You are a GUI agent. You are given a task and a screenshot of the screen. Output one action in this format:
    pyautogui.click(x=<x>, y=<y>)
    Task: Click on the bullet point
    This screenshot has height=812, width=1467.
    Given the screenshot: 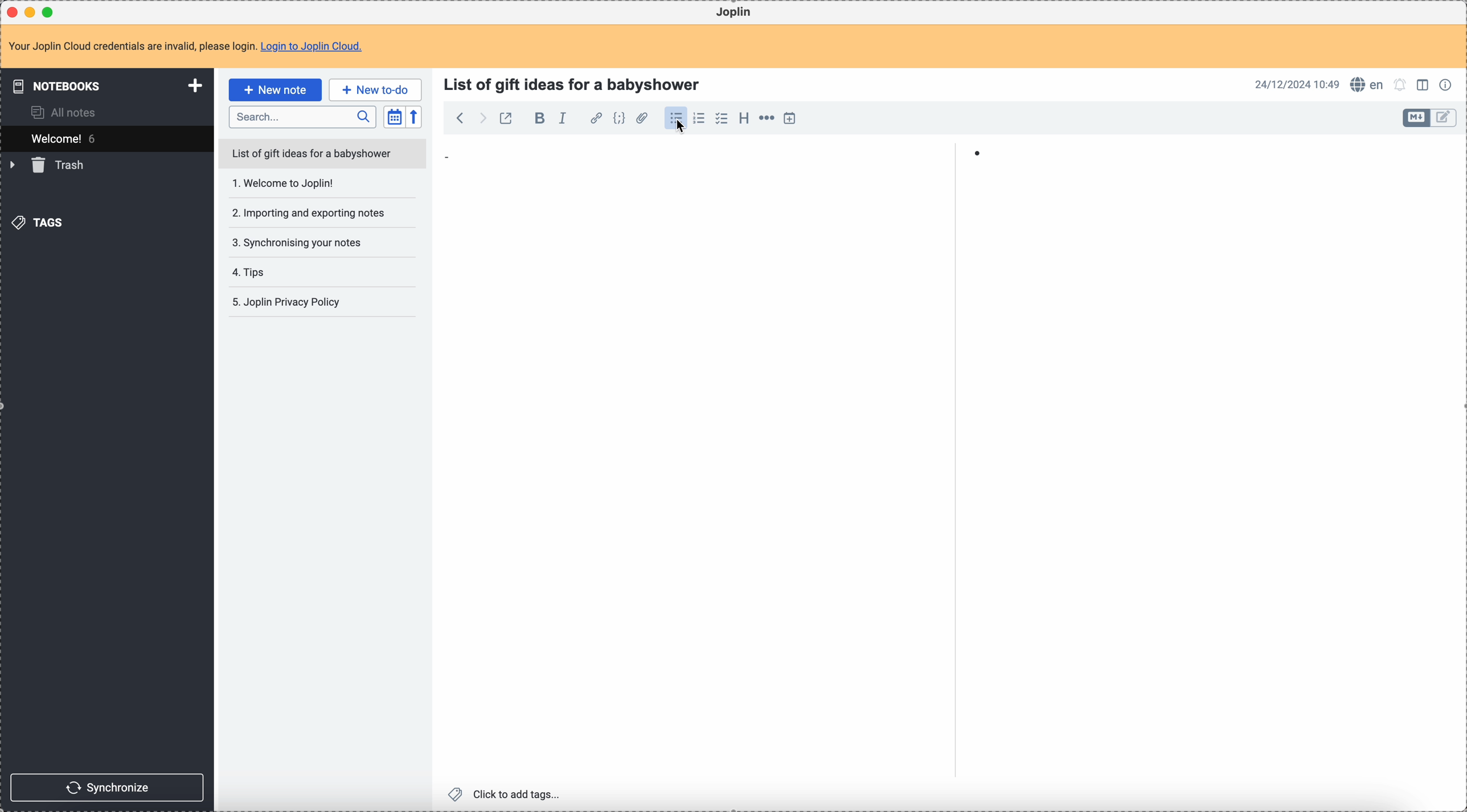 What is the action you would take?
    pyautogui.click(x=977, y=153)
    